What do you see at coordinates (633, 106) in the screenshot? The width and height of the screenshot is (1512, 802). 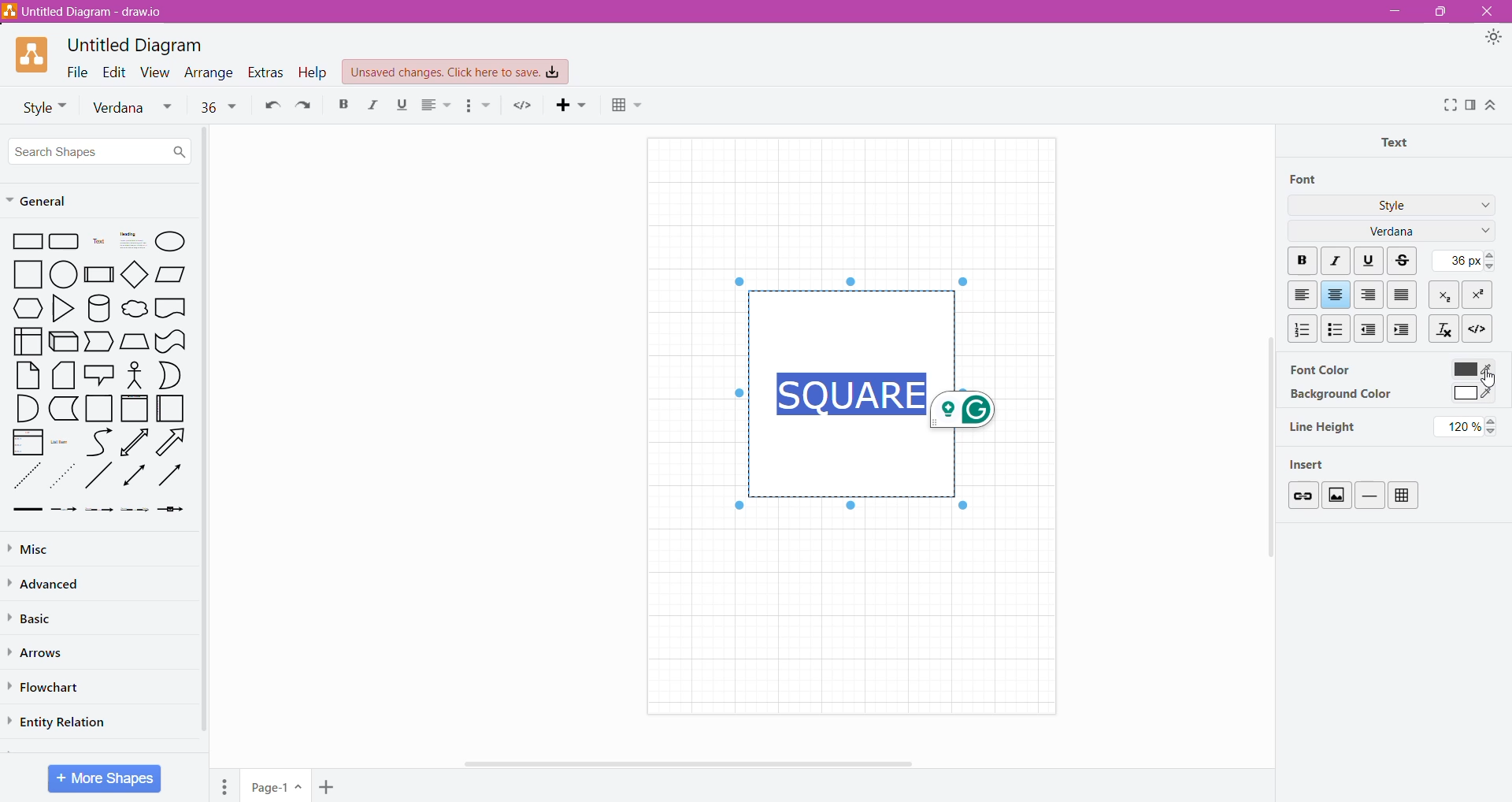 I see `Table` at bounding box center [633, 106].